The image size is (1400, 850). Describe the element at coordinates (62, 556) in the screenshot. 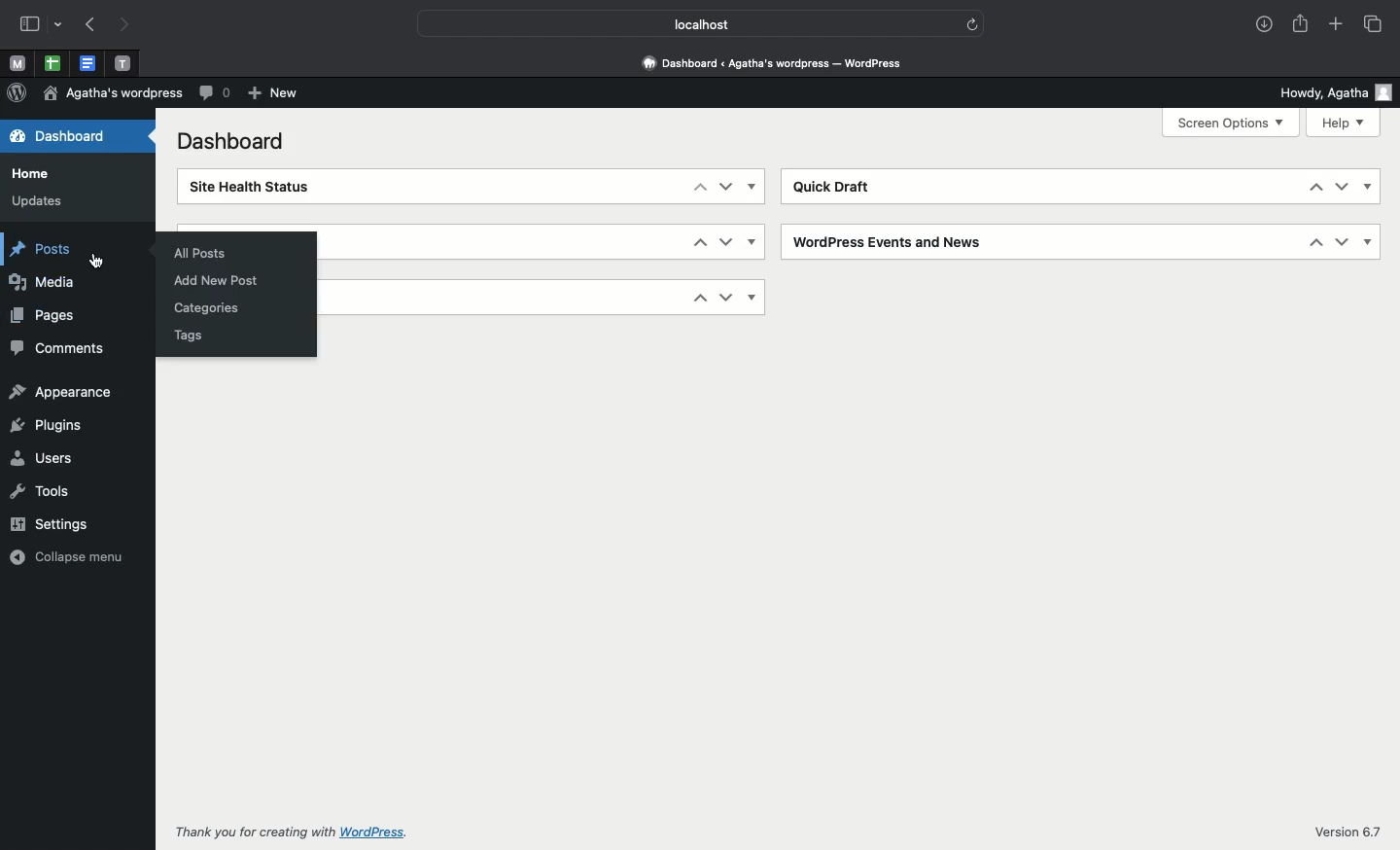

I see `Collapse menu` at that location.